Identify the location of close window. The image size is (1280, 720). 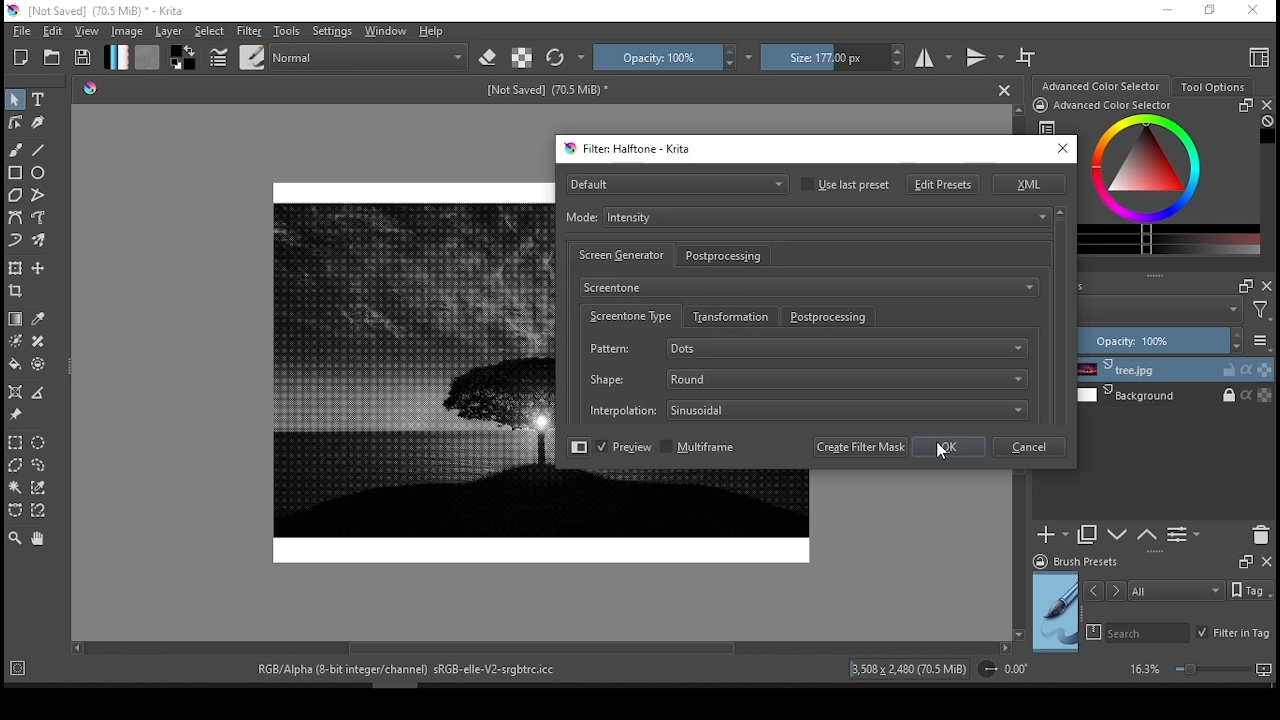
(1064, 148).